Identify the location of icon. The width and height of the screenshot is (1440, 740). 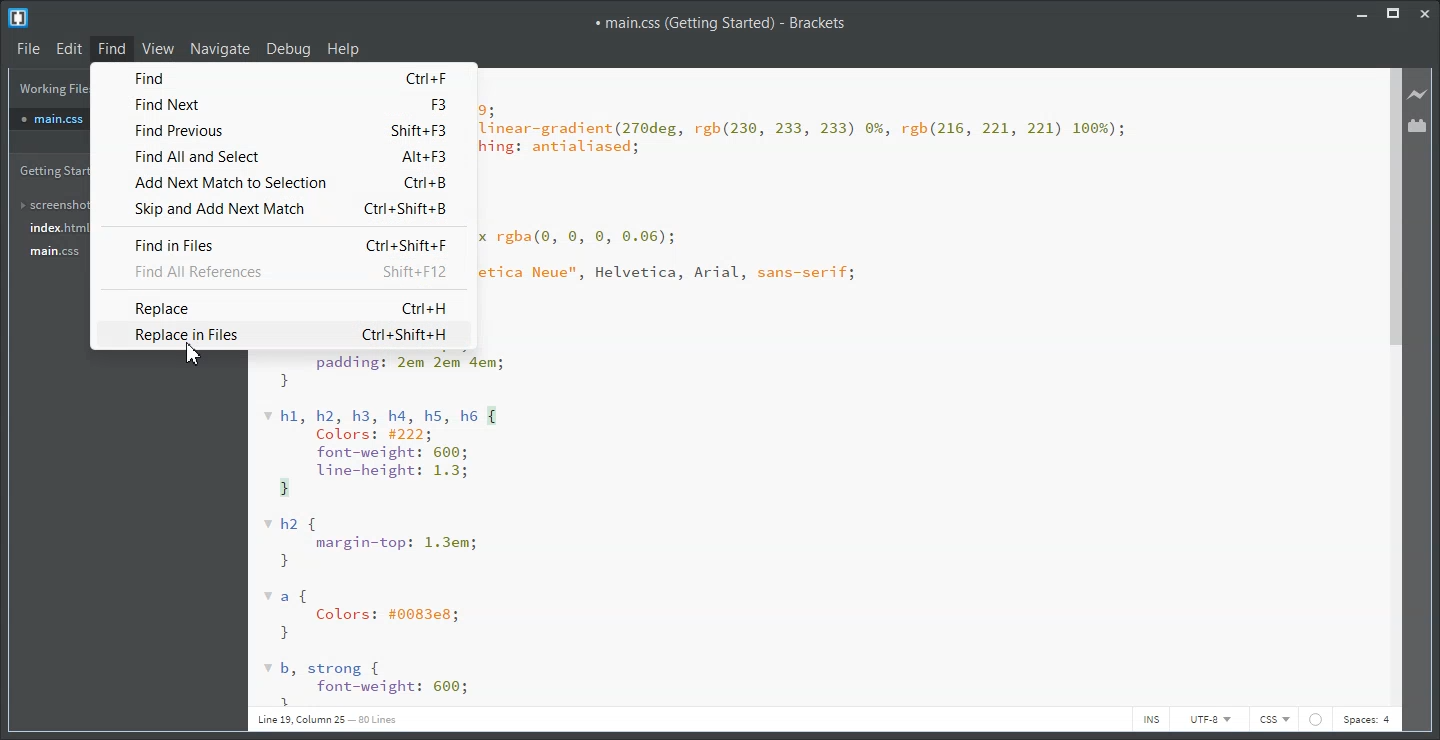
(1315, 719).